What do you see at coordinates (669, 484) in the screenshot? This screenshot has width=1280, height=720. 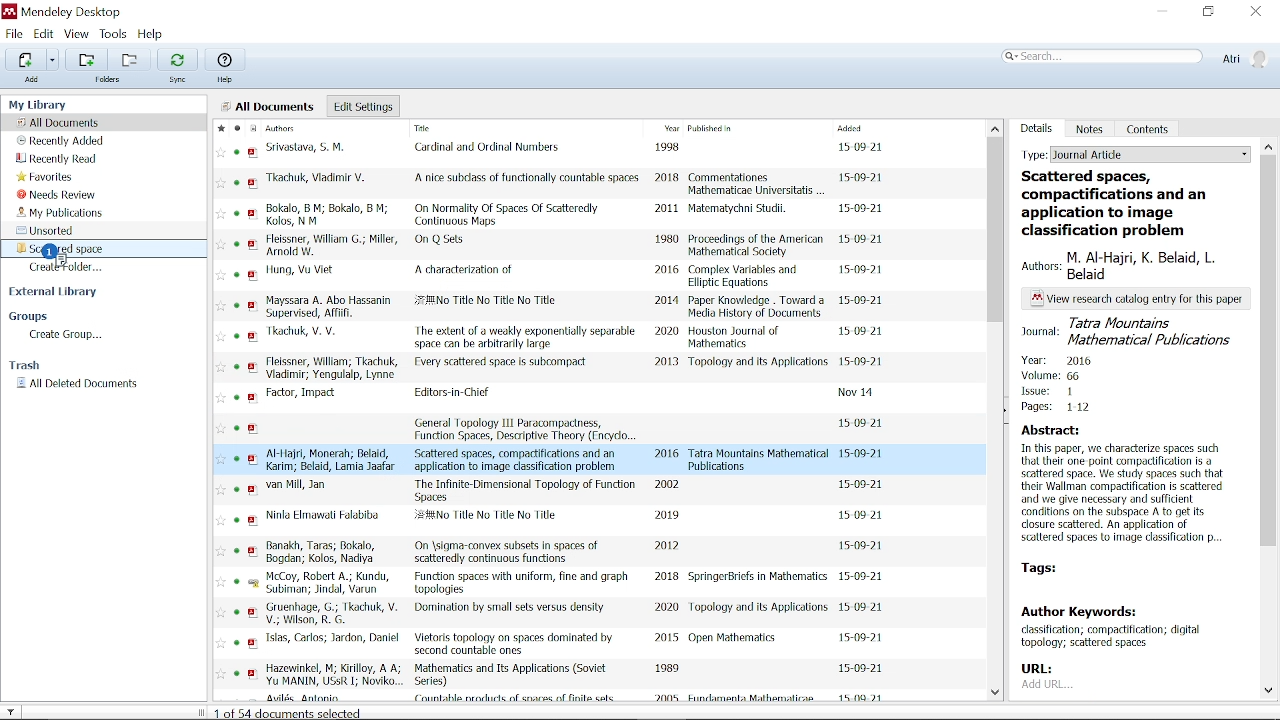 I see `2002` at bounding box center [669, 484].